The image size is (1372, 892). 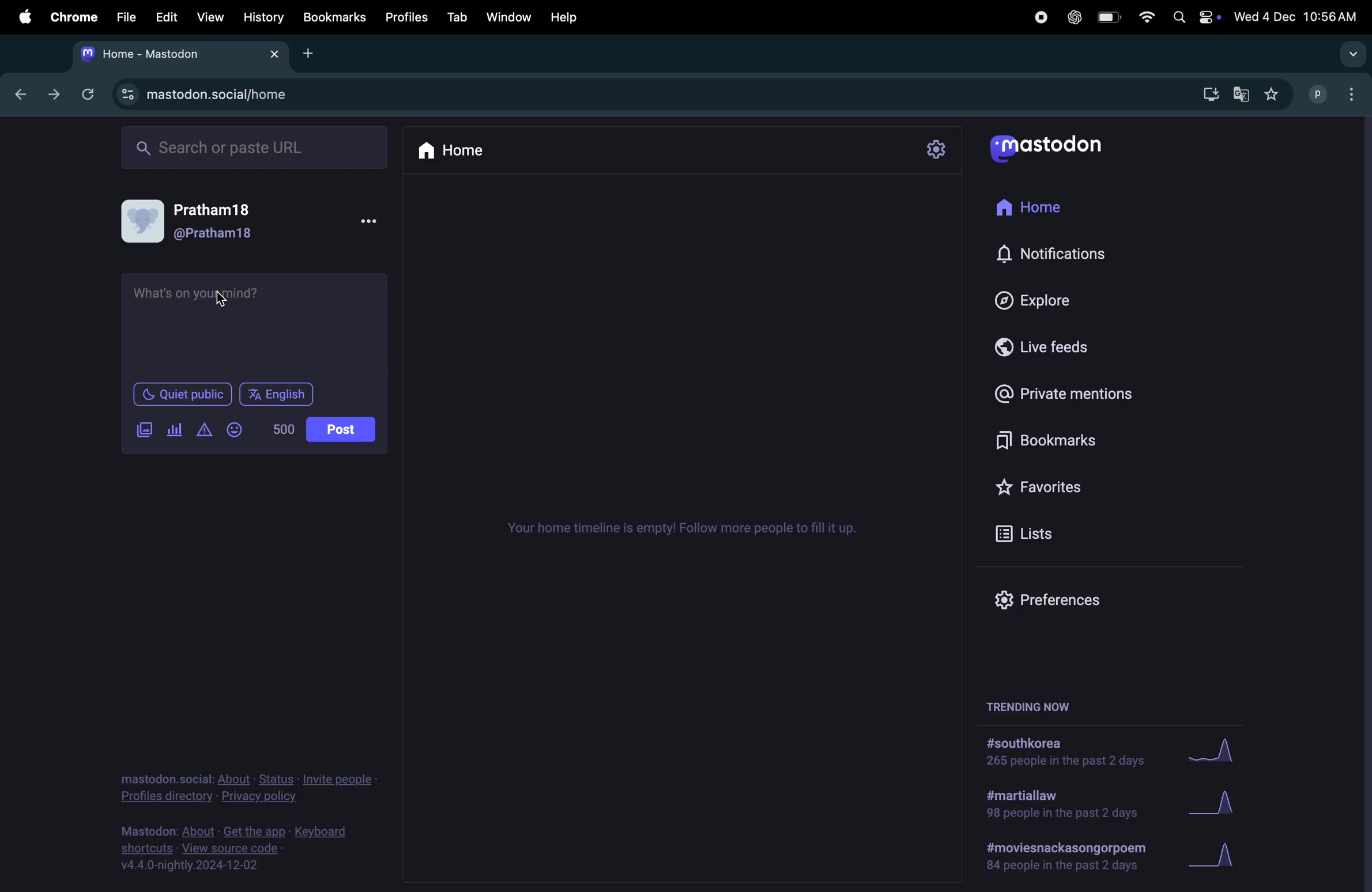 I want to click on date and time, so click(x=1297, y=14).